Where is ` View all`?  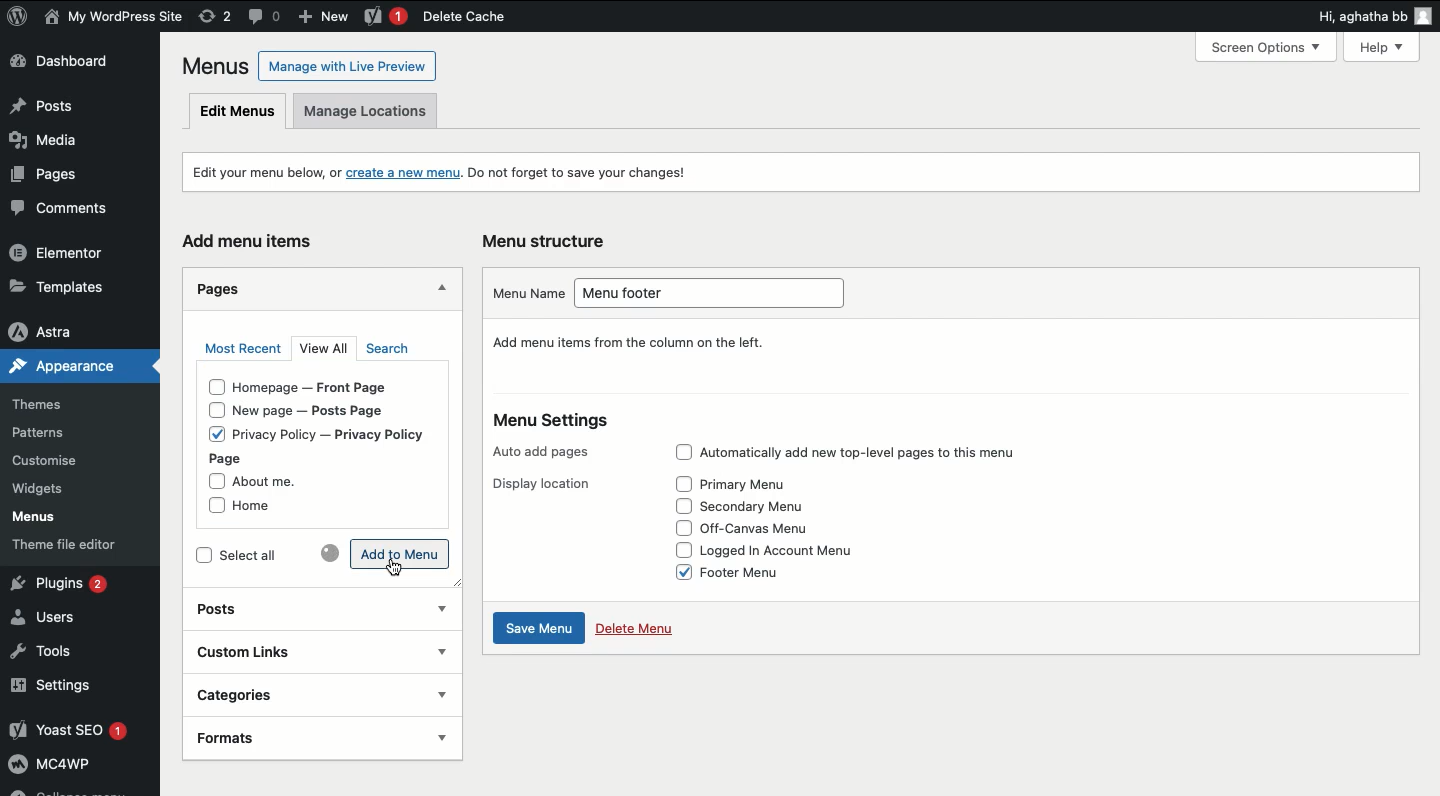  View all is located at coordinates (327, 350).